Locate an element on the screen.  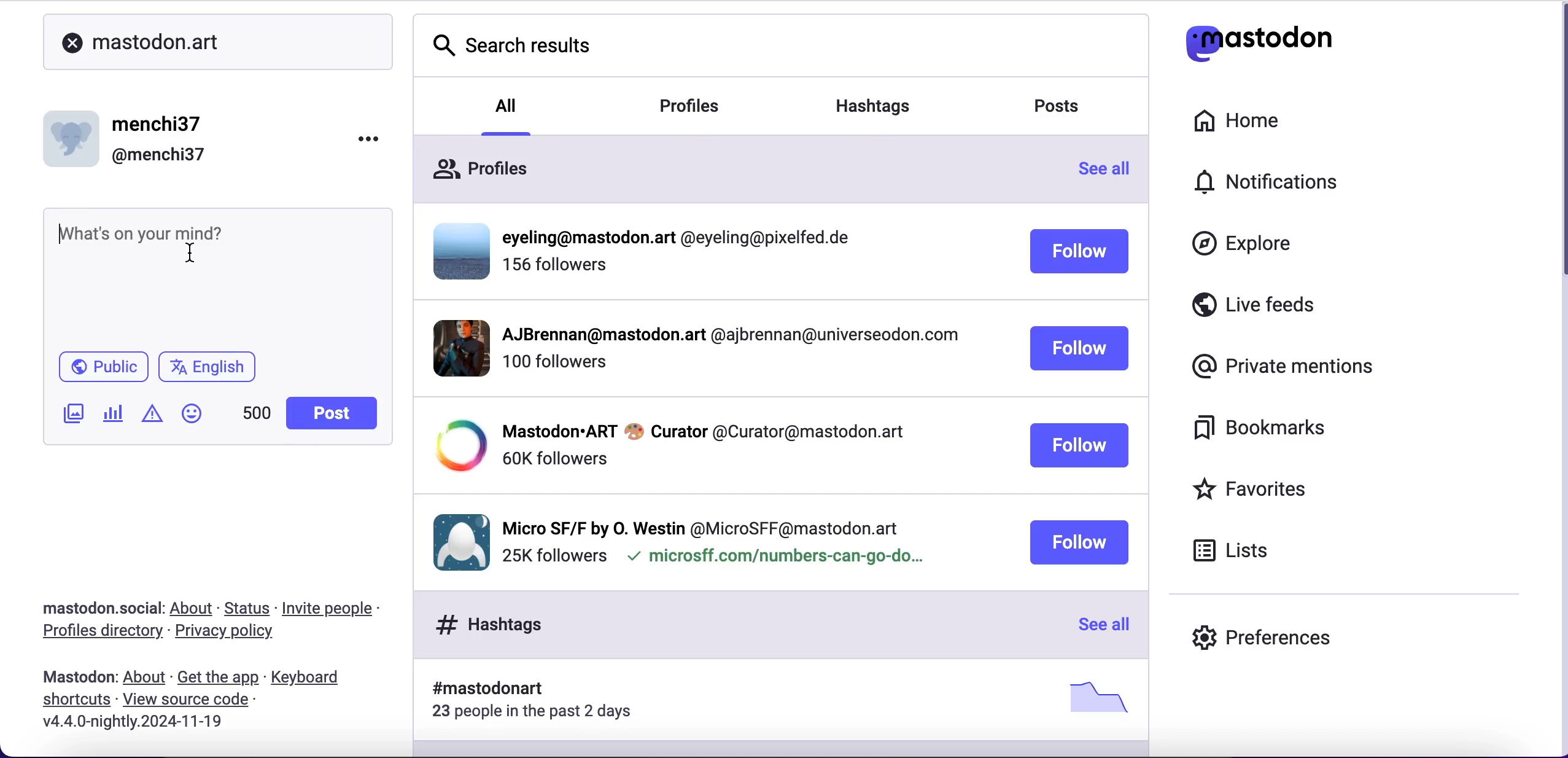
follow is located at coordinates (1082, 445).